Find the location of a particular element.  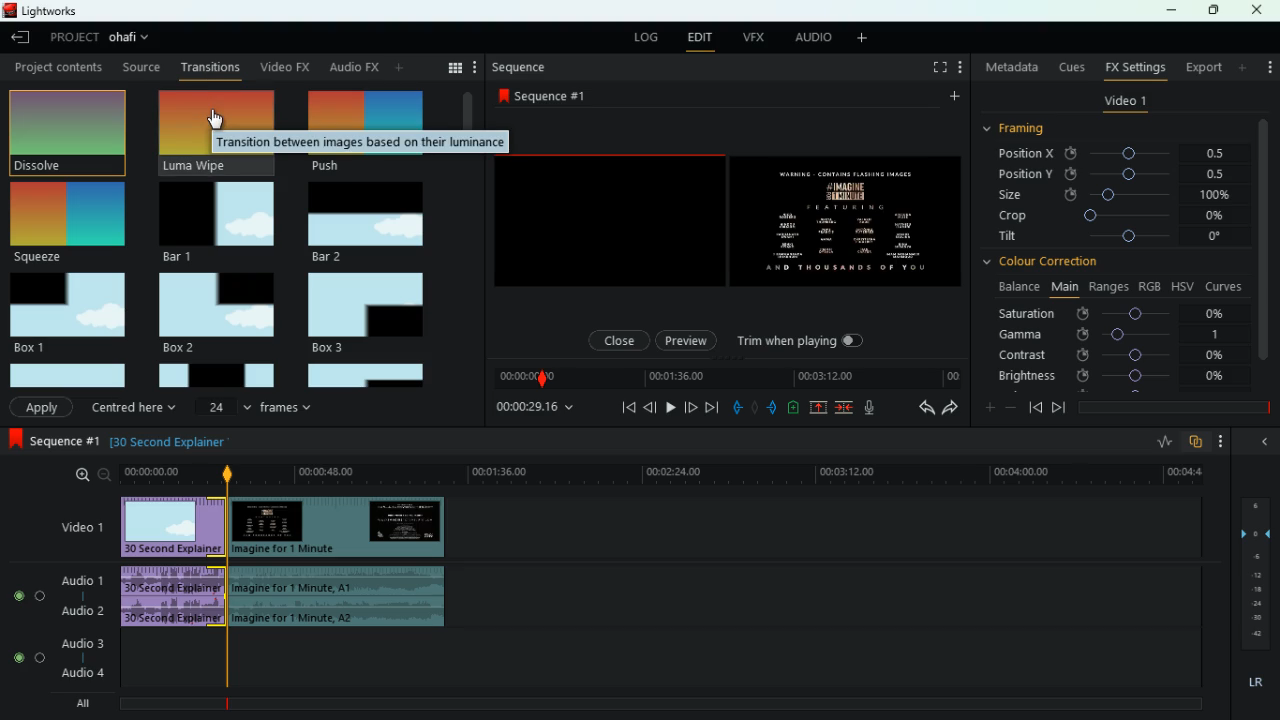

size is located at coordinates (1115, 194).